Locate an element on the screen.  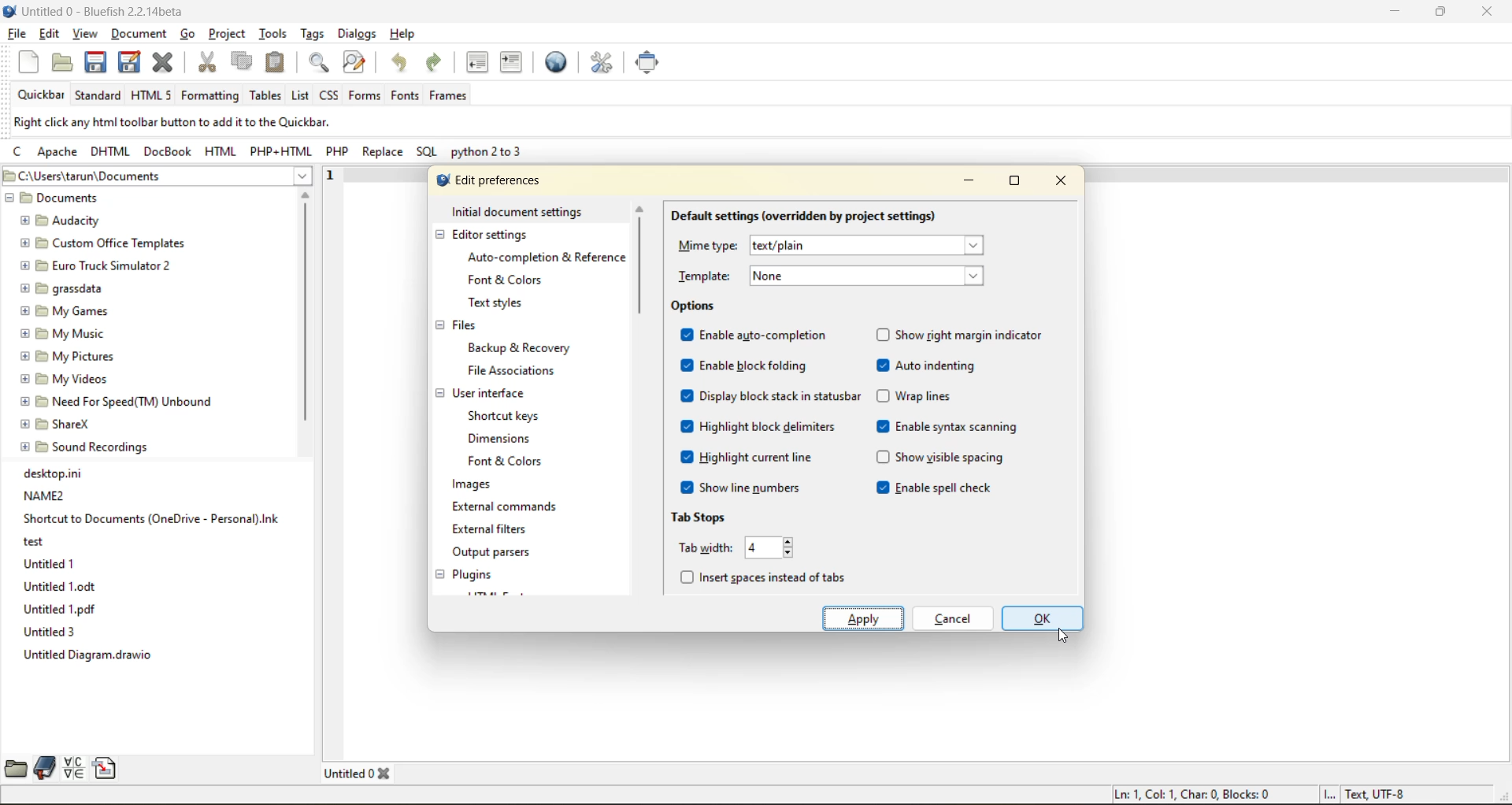
bookmarks is located at coordinates (43, 768).